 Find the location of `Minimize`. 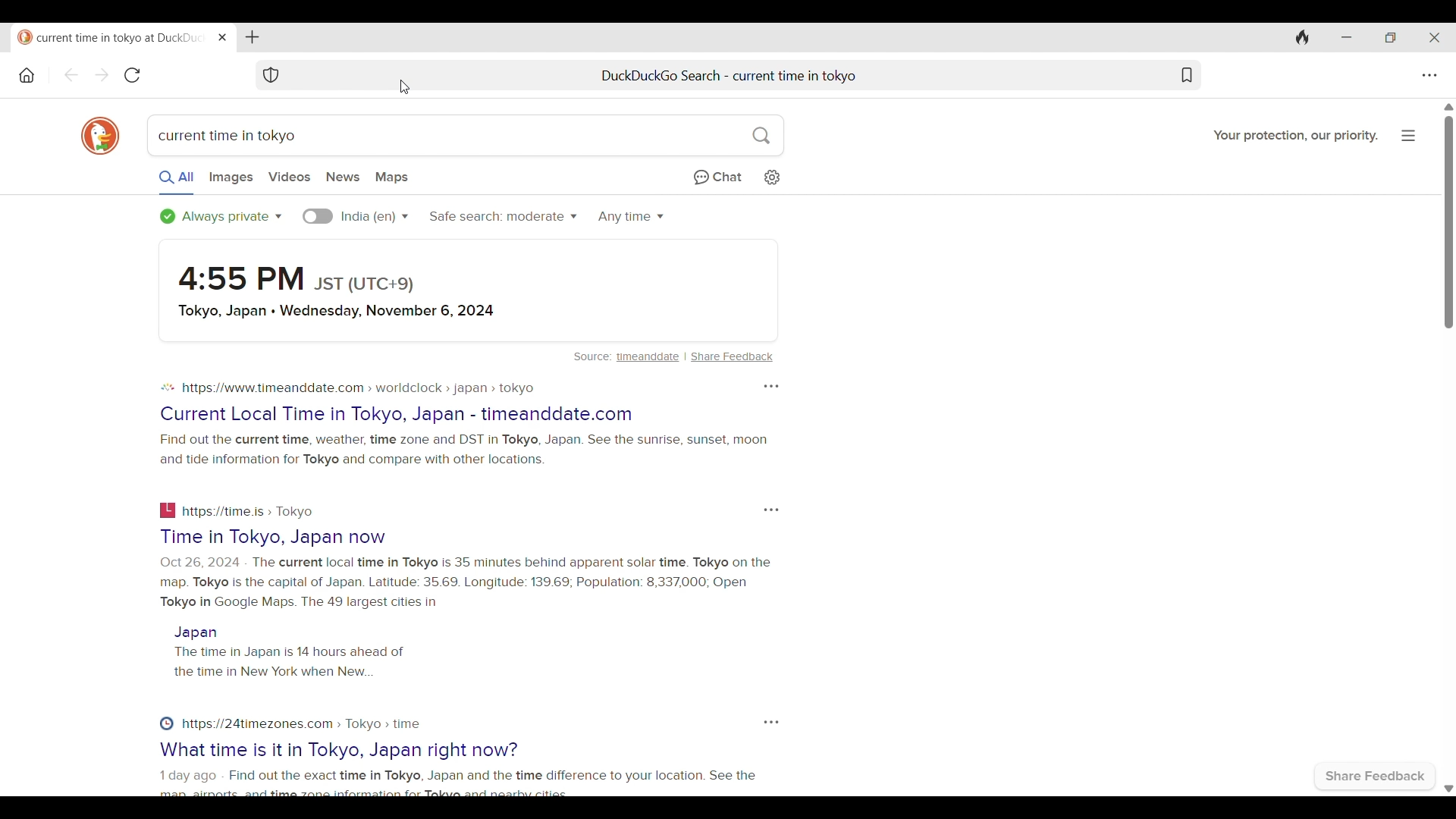

Minimize is located at coordinates (1347, 37).